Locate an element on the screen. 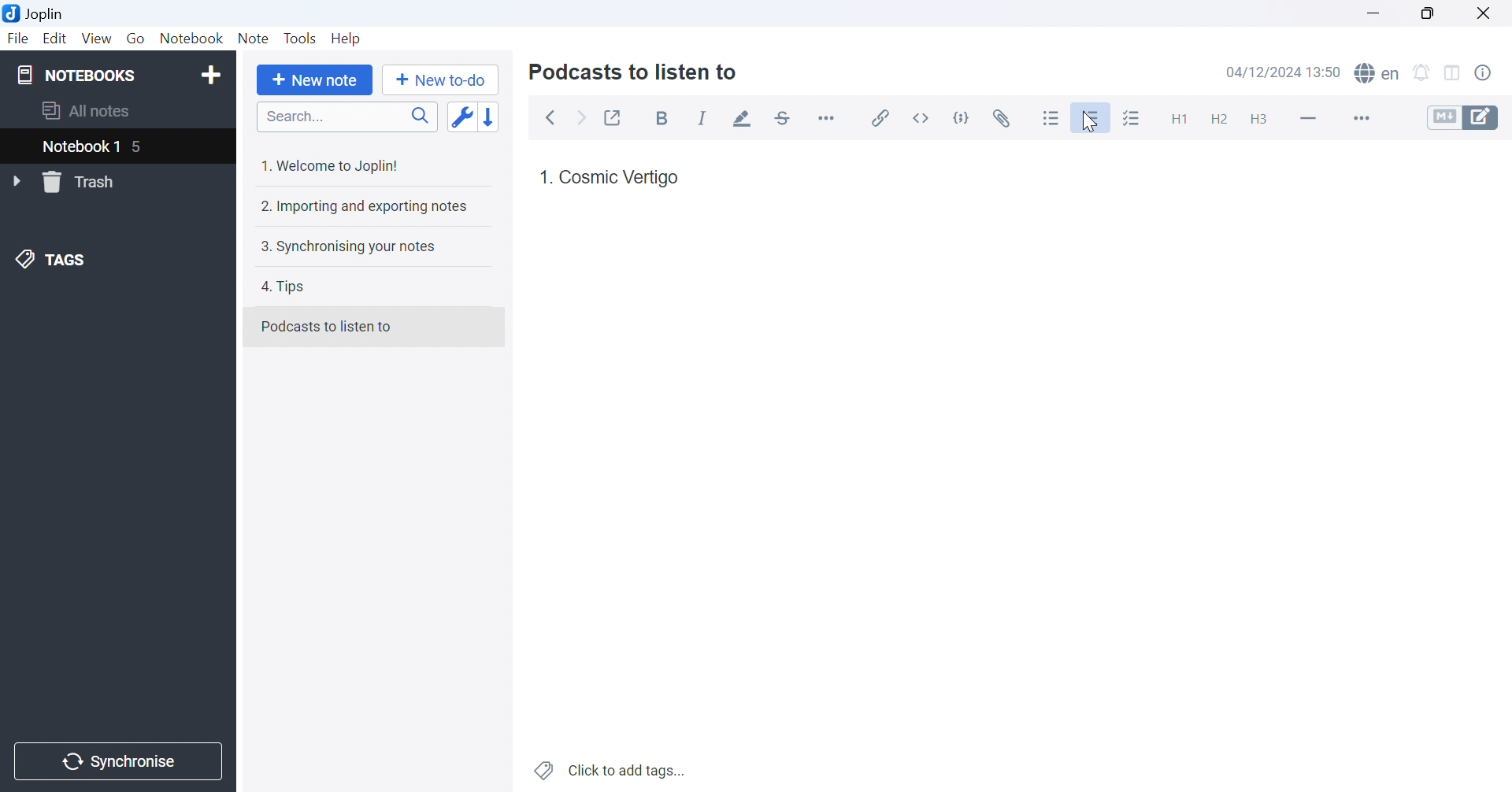 Image resolution: width=1512 pixels, height=792 pixels. Back is located at coordinates (552, 119).